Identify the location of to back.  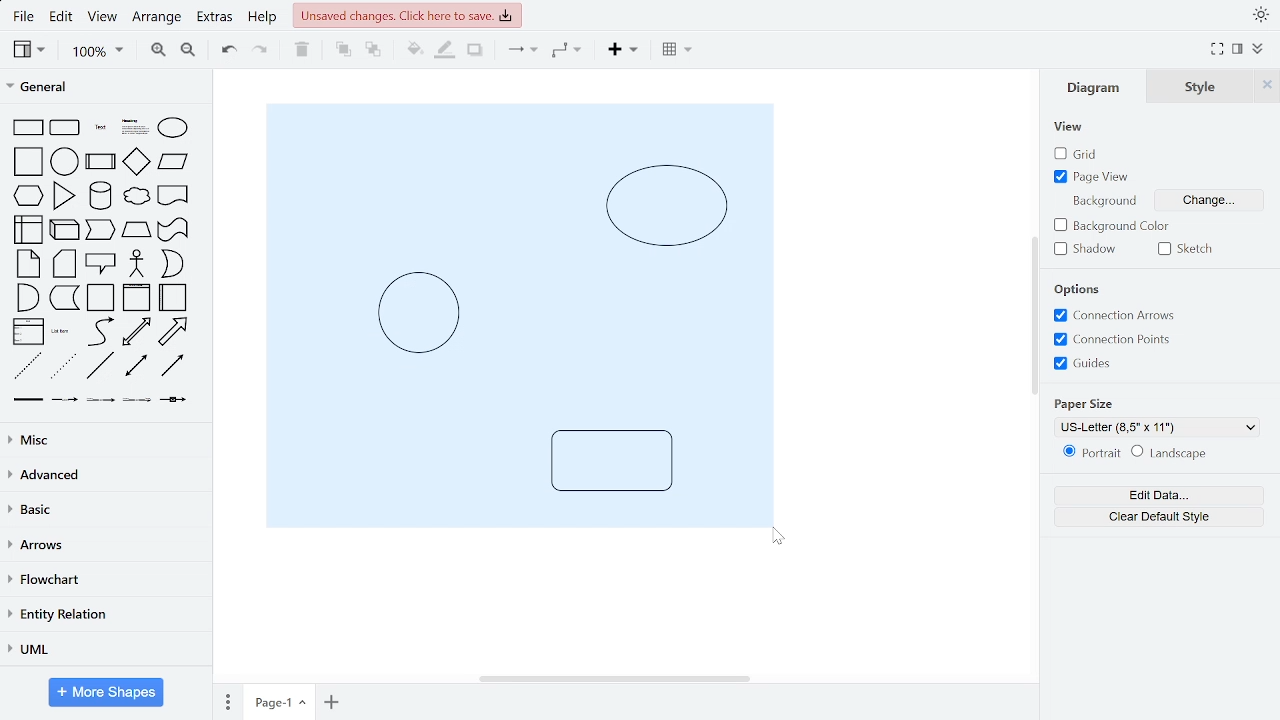
(370, 50).